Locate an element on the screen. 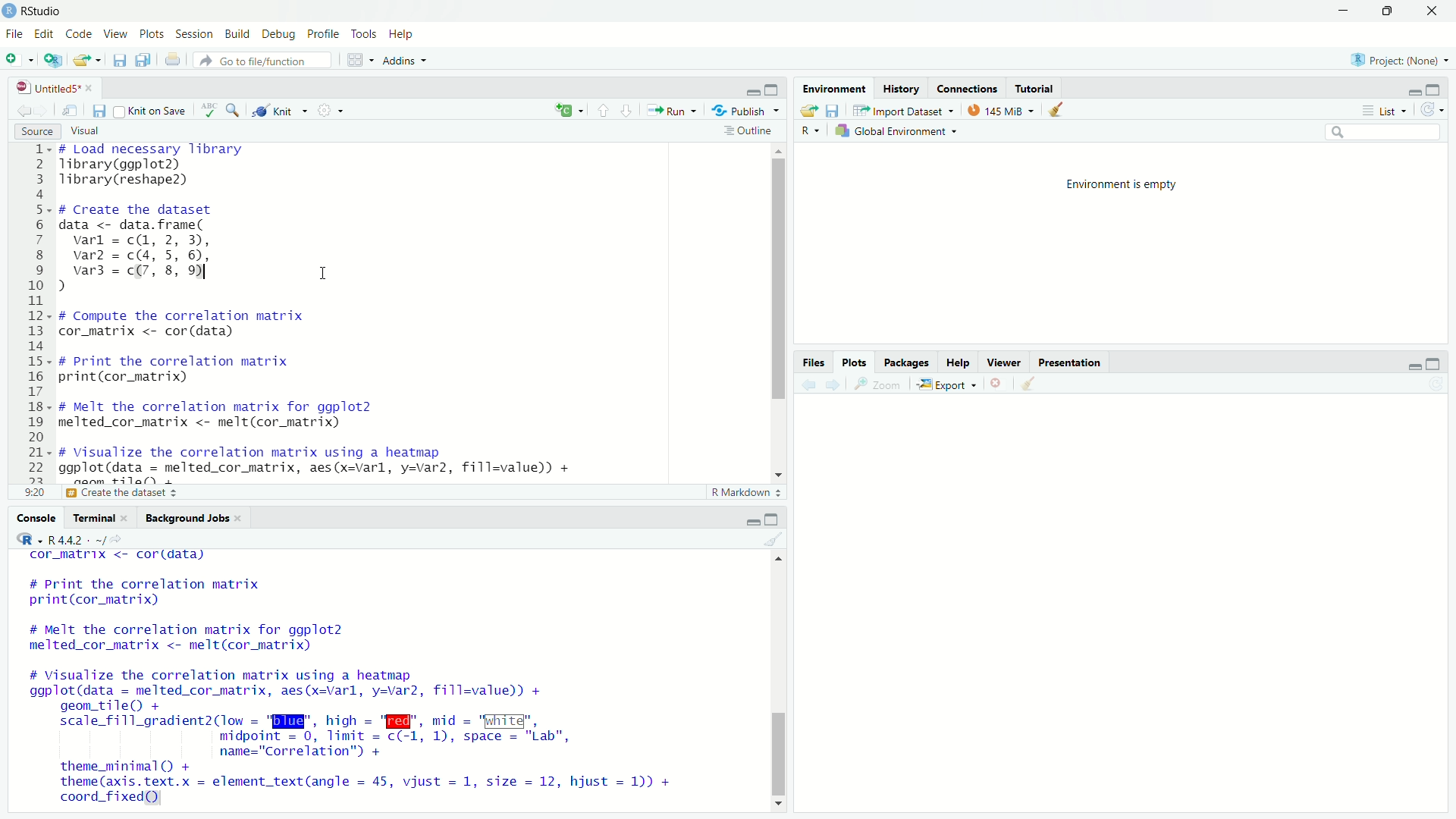 The image size is (1456, 819). history is located at coordinates (903, 88).